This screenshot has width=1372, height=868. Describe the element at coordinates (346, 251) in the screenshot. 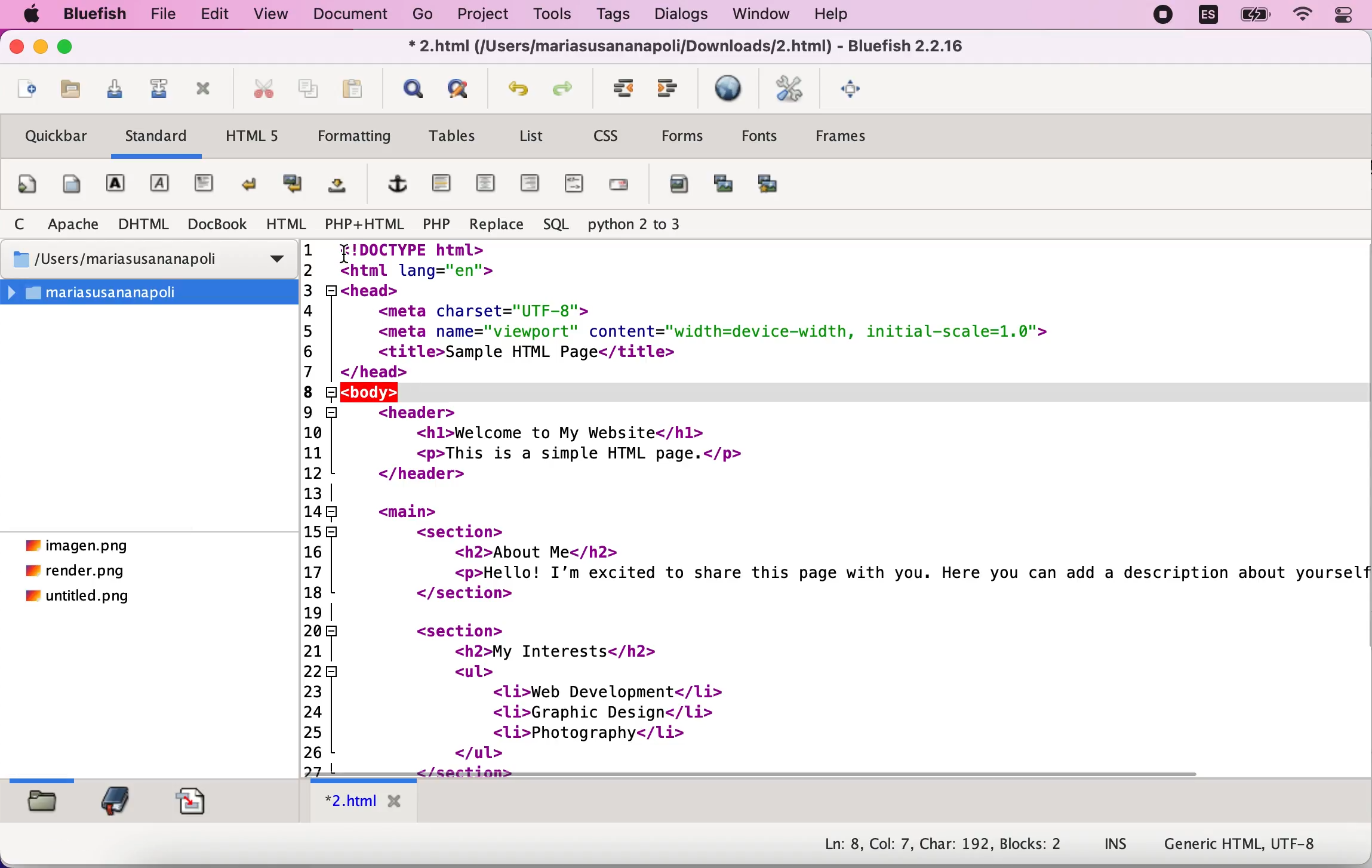

I see `cursor` at that location.